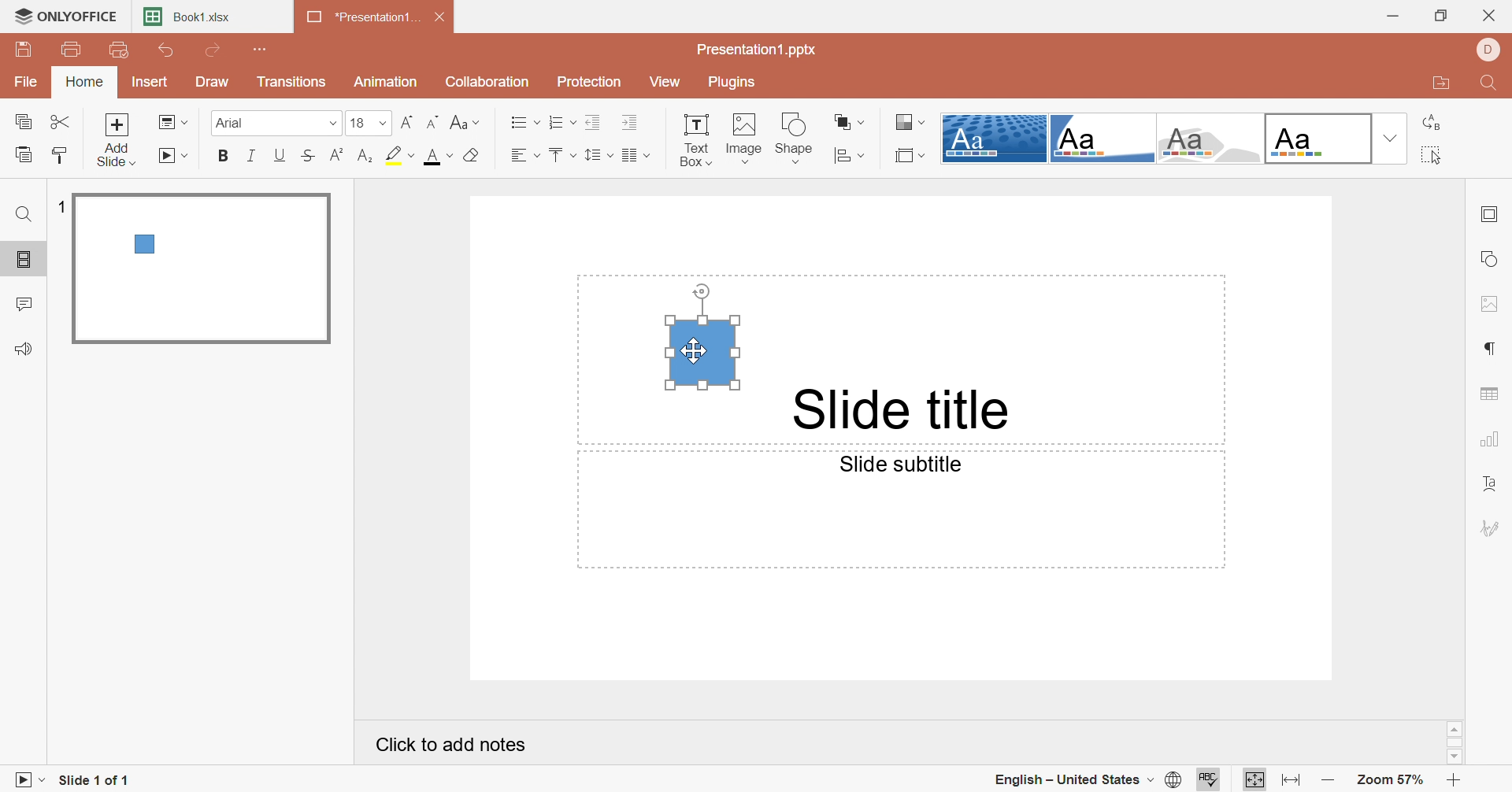  I want to click on Font color, so click(441, 157).